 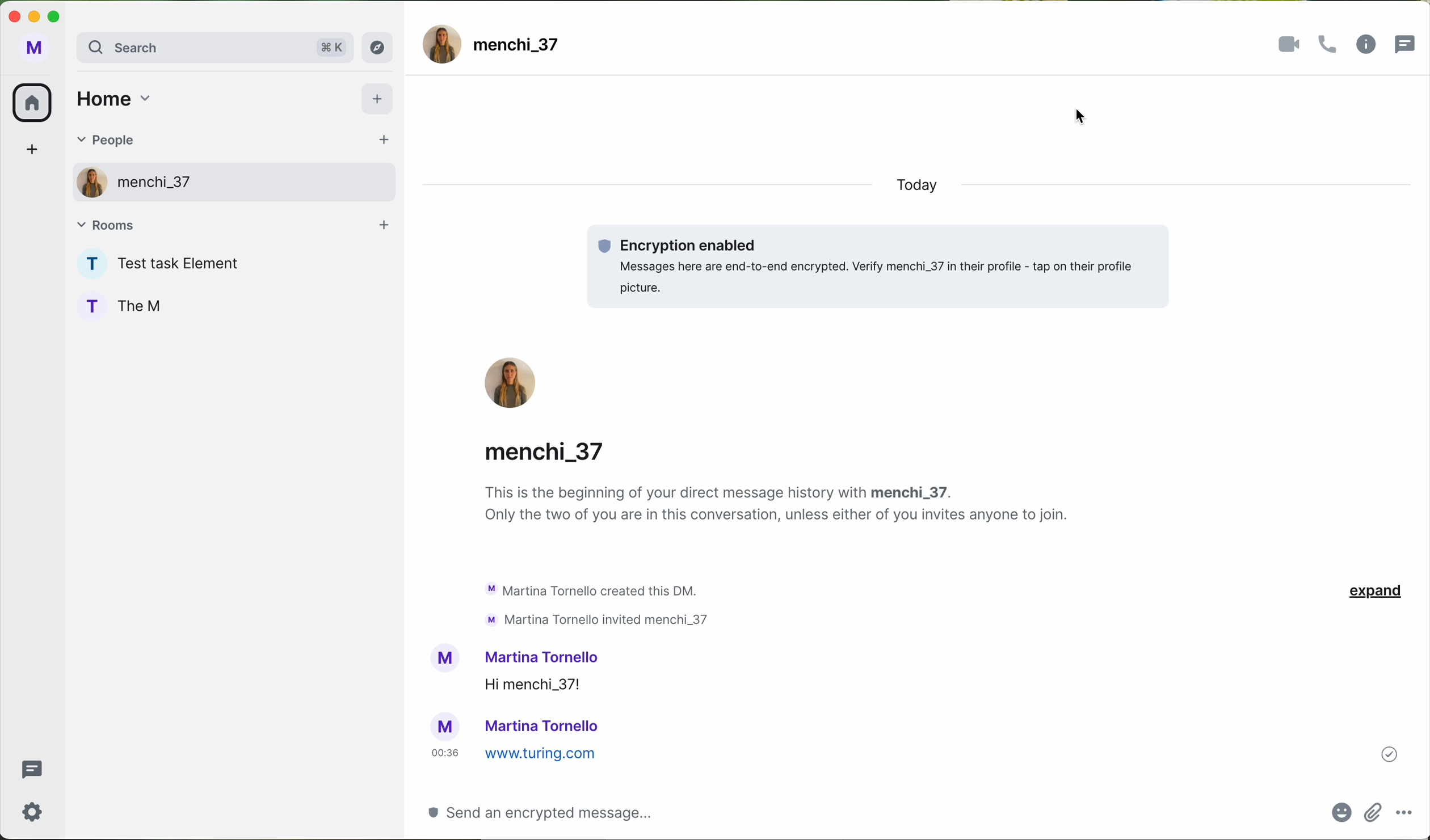 What do you see at coordinates (381, 47) in the screenshot?
I see `explore` at bounding box center [381, 47].